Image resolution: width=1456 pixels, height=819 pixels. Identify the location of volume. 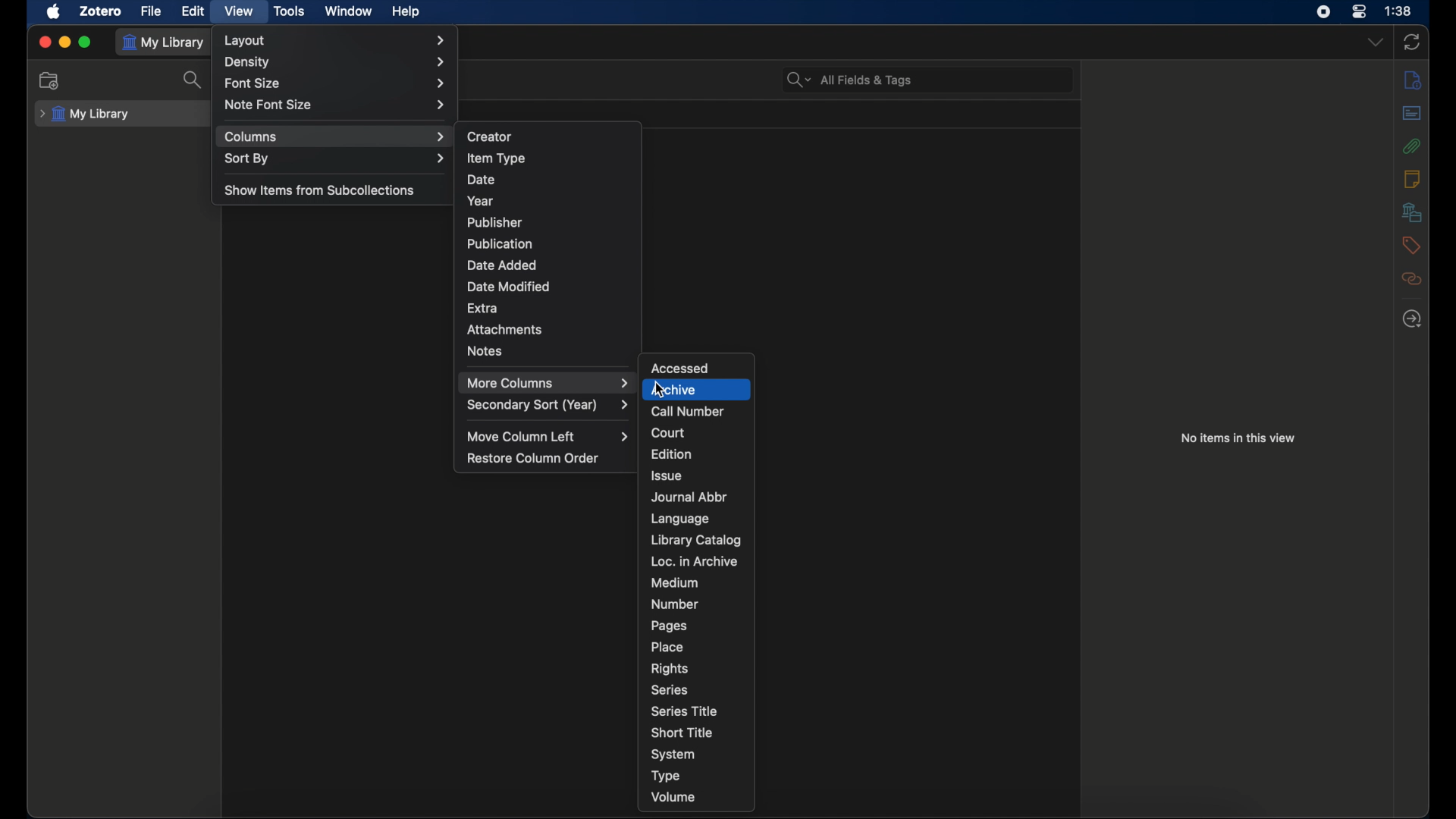
(675, 797).